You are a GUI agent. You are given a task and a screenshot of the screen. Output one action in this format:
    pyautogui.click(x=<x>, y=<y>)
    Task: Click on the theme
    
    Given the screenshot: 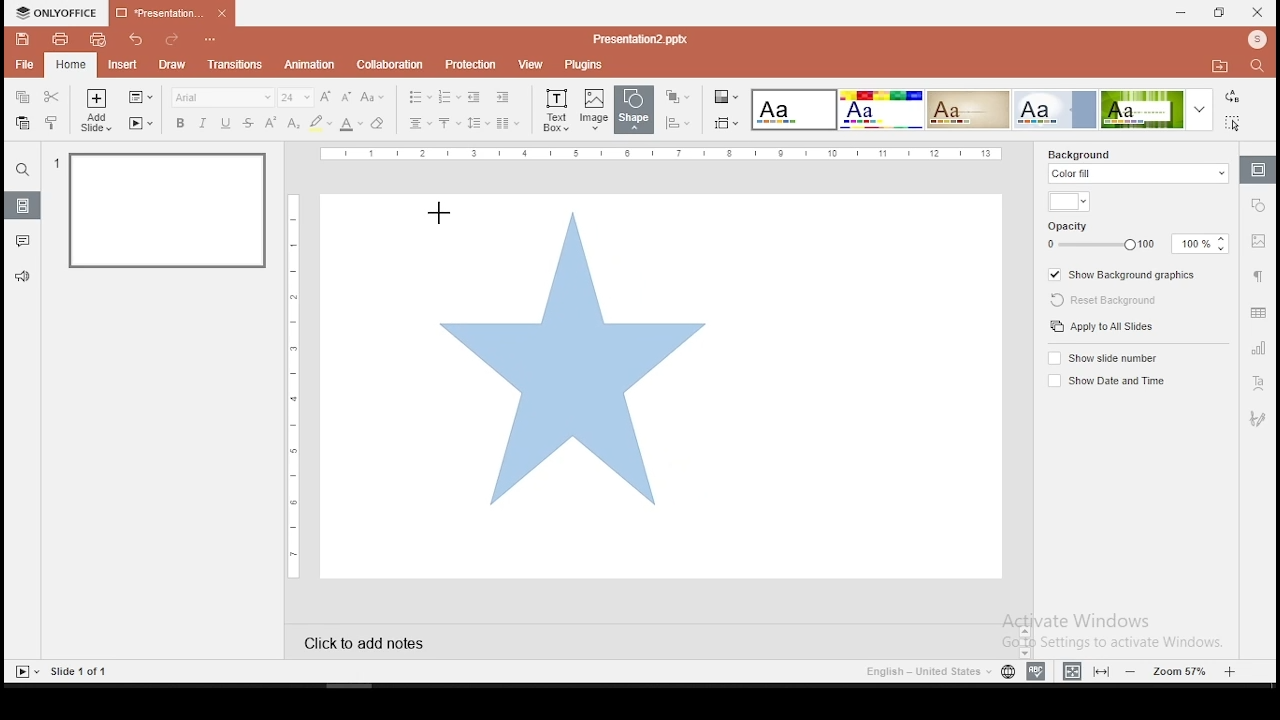 What is the action you would take?
    pyautogui.click(x=1160, y=109)
    